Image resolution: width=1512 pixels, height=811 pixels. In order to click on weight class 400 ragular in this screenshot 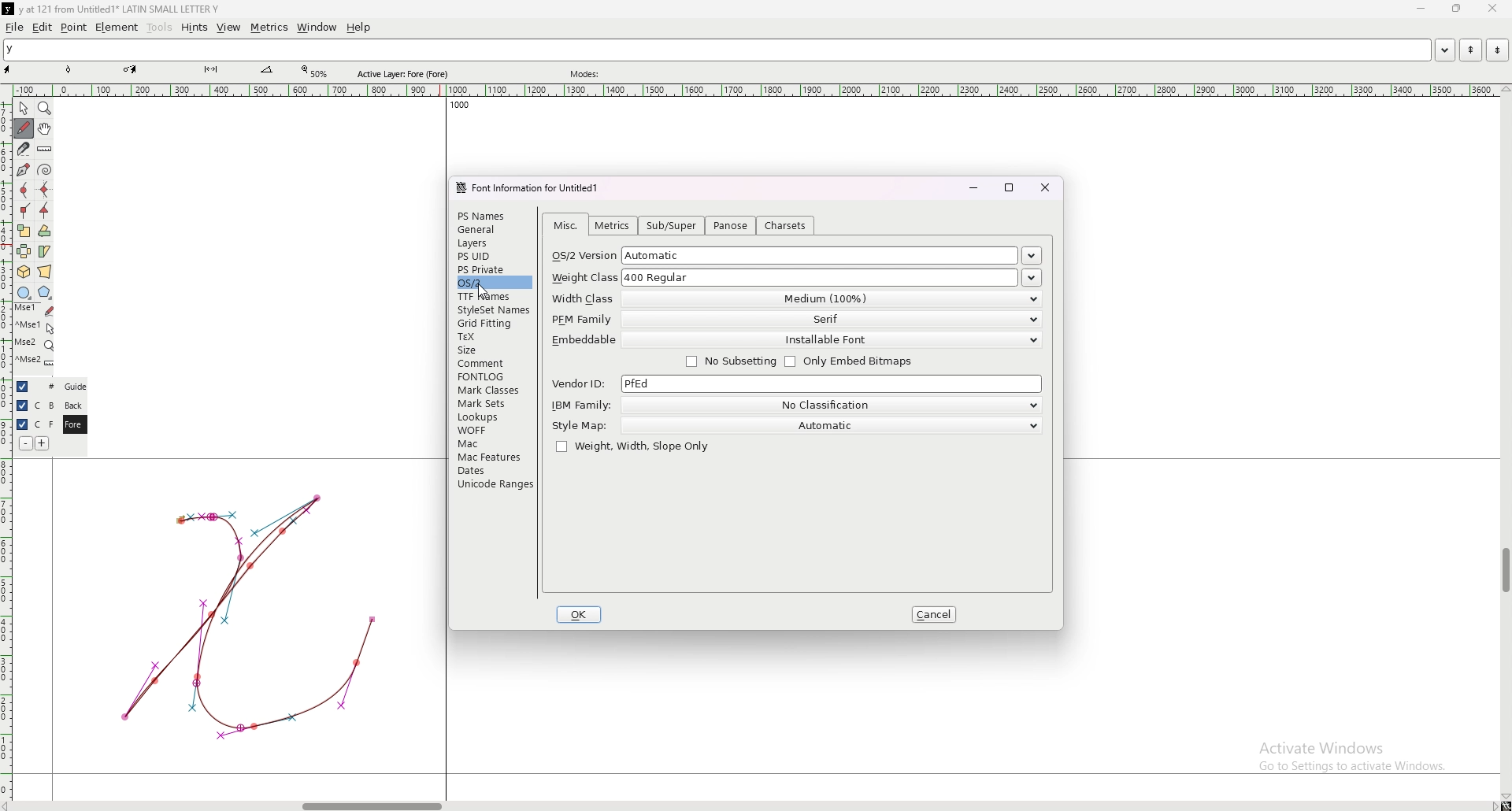, I will do `click(784, 276)`.